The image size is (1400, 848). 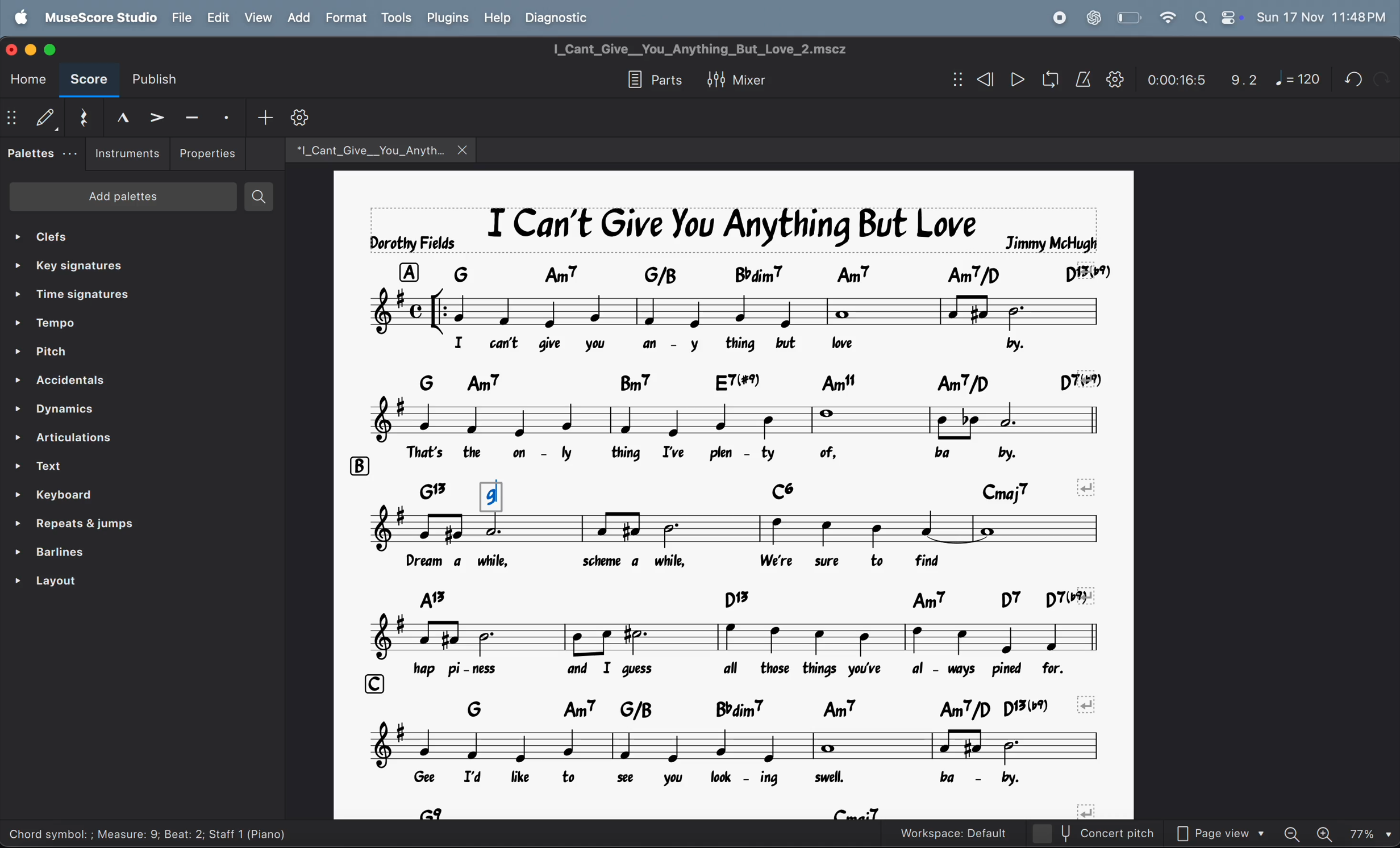 I want to click on keynote chord, so click(x=755, y=382).